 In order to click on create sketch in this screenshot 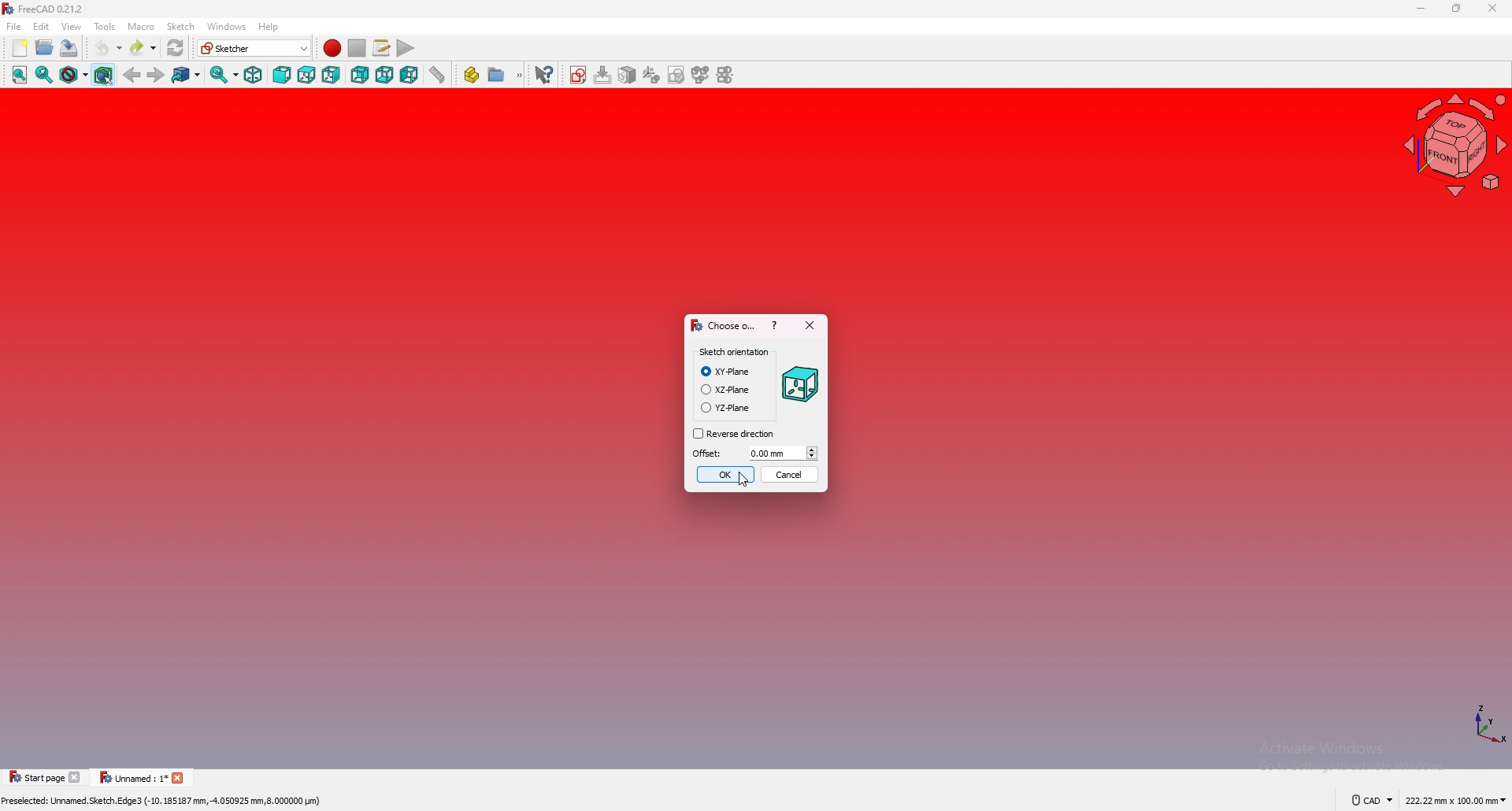, I will do `click(580, 74)`.